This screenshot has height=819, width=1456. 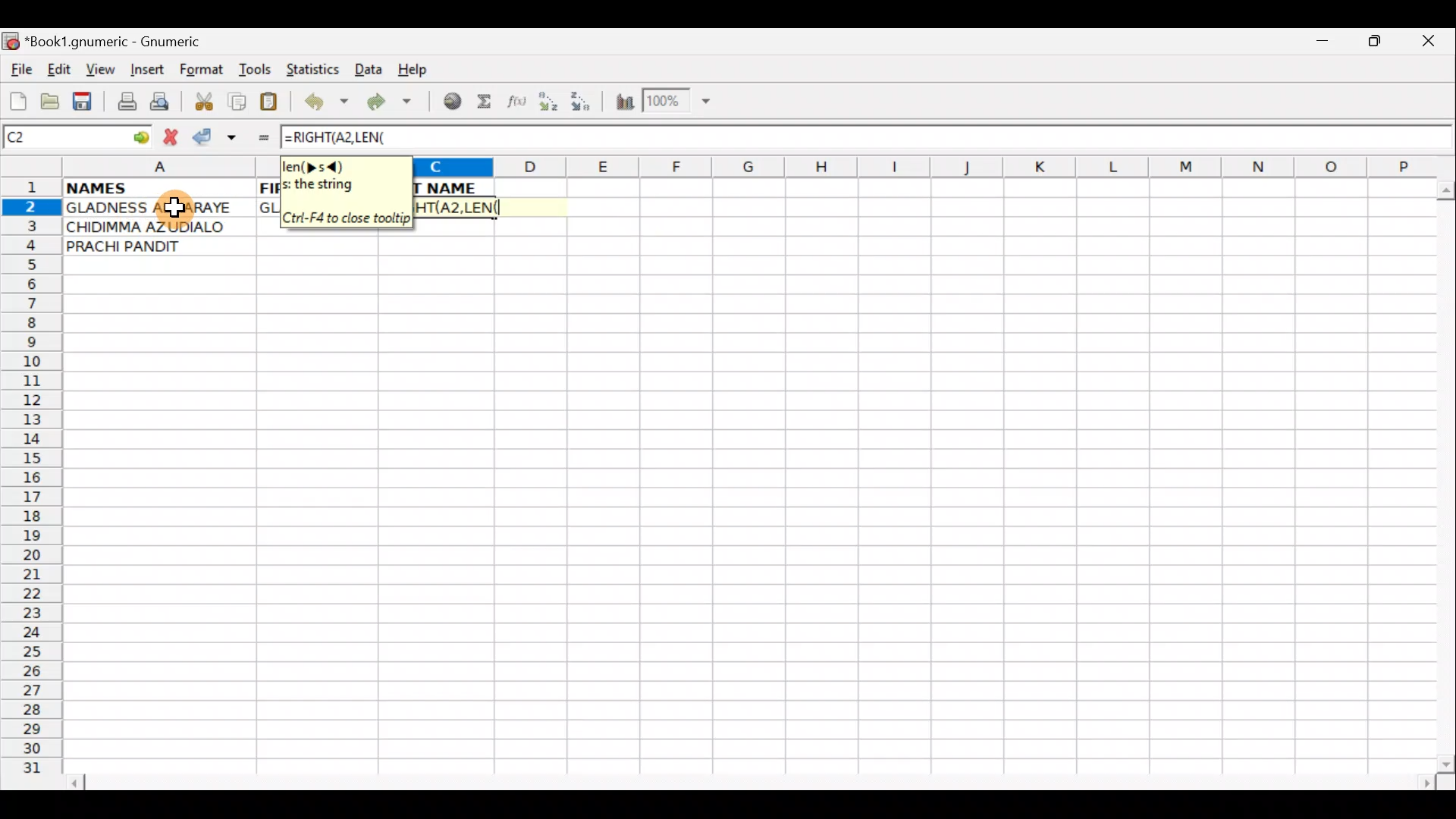 What do you see at coordinates (413, 70) in the screenshot?
I see `Help` at bounding box center [413, 70].